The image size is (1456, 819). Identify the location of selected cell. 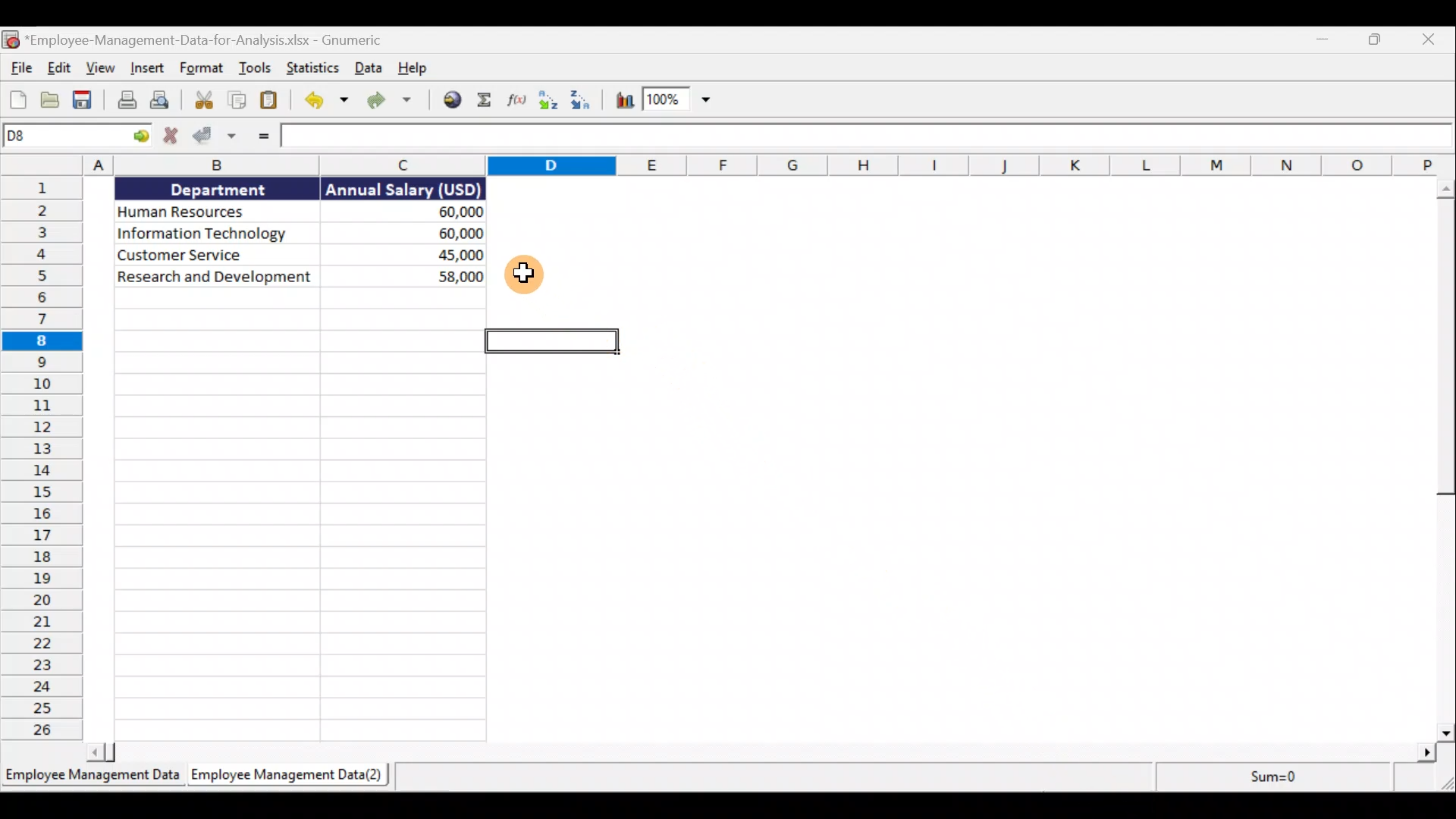
(553, 343).